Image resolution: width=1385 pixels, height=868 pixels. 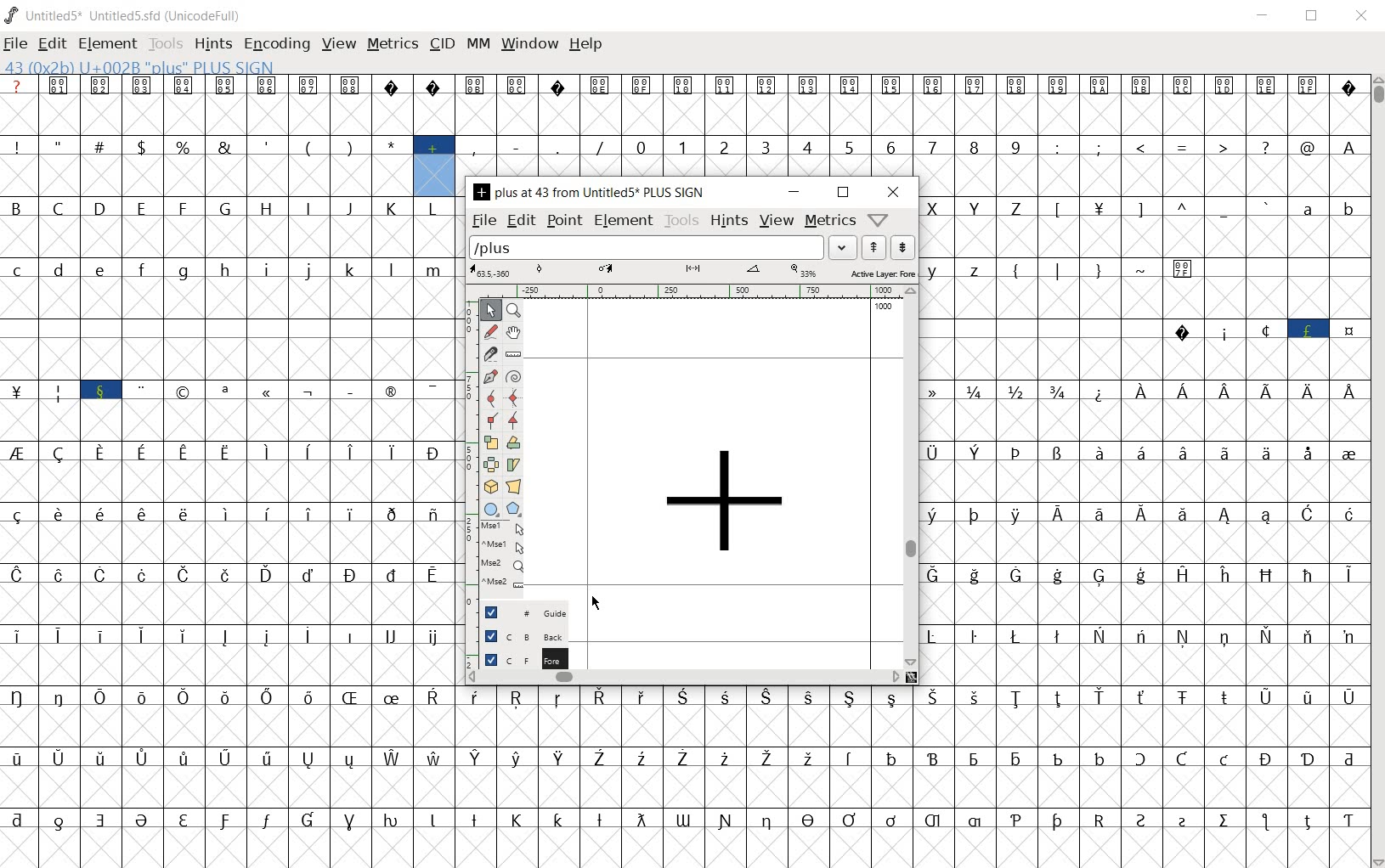 I want to click on perform a perspective transformation on the selection, so click(x=514, y=486).